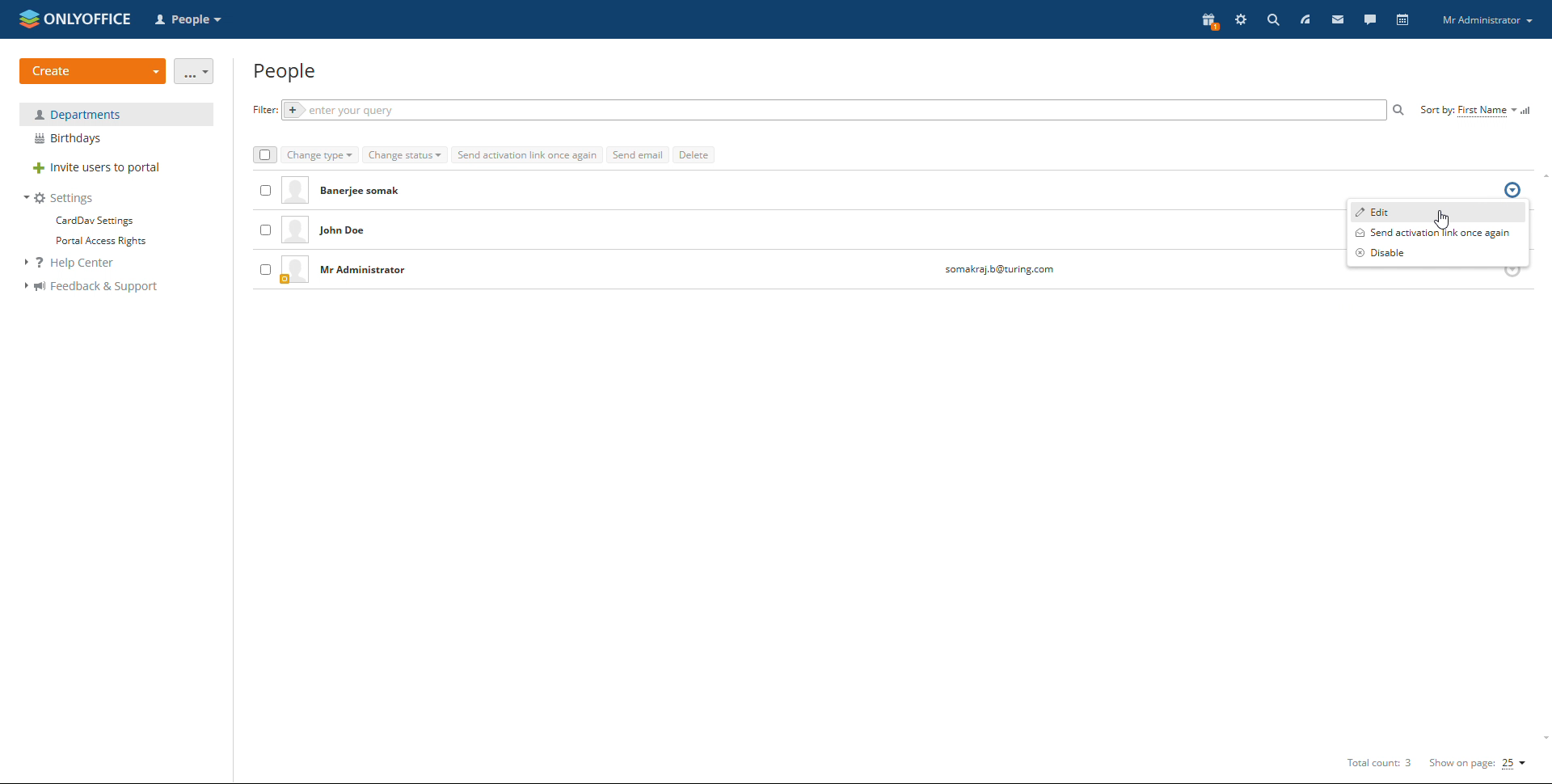  I want to click on profile, so click(1487, 21).